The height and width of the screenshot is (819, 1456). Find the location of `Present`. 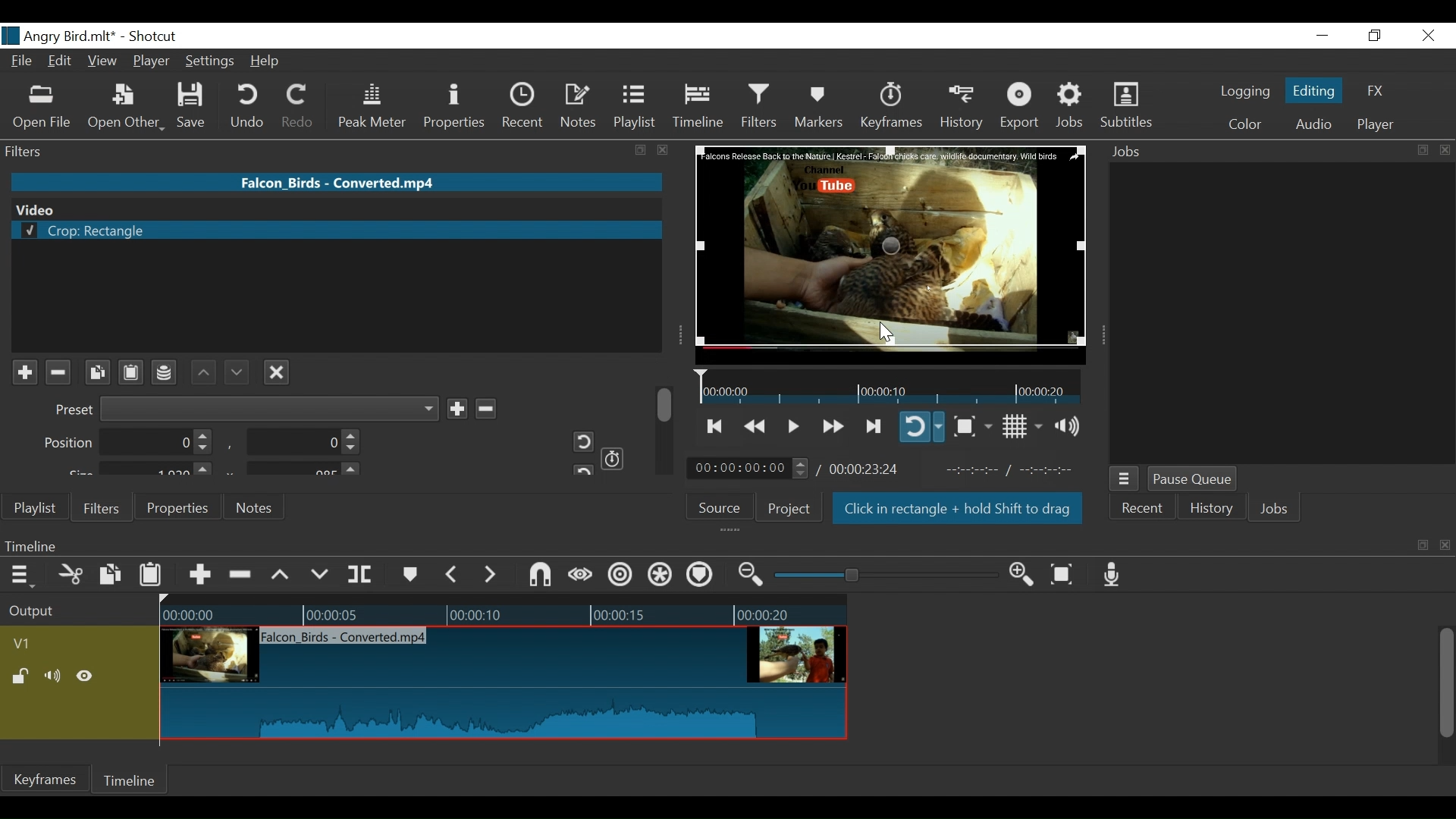

Present is located at coordinates (244, 409).